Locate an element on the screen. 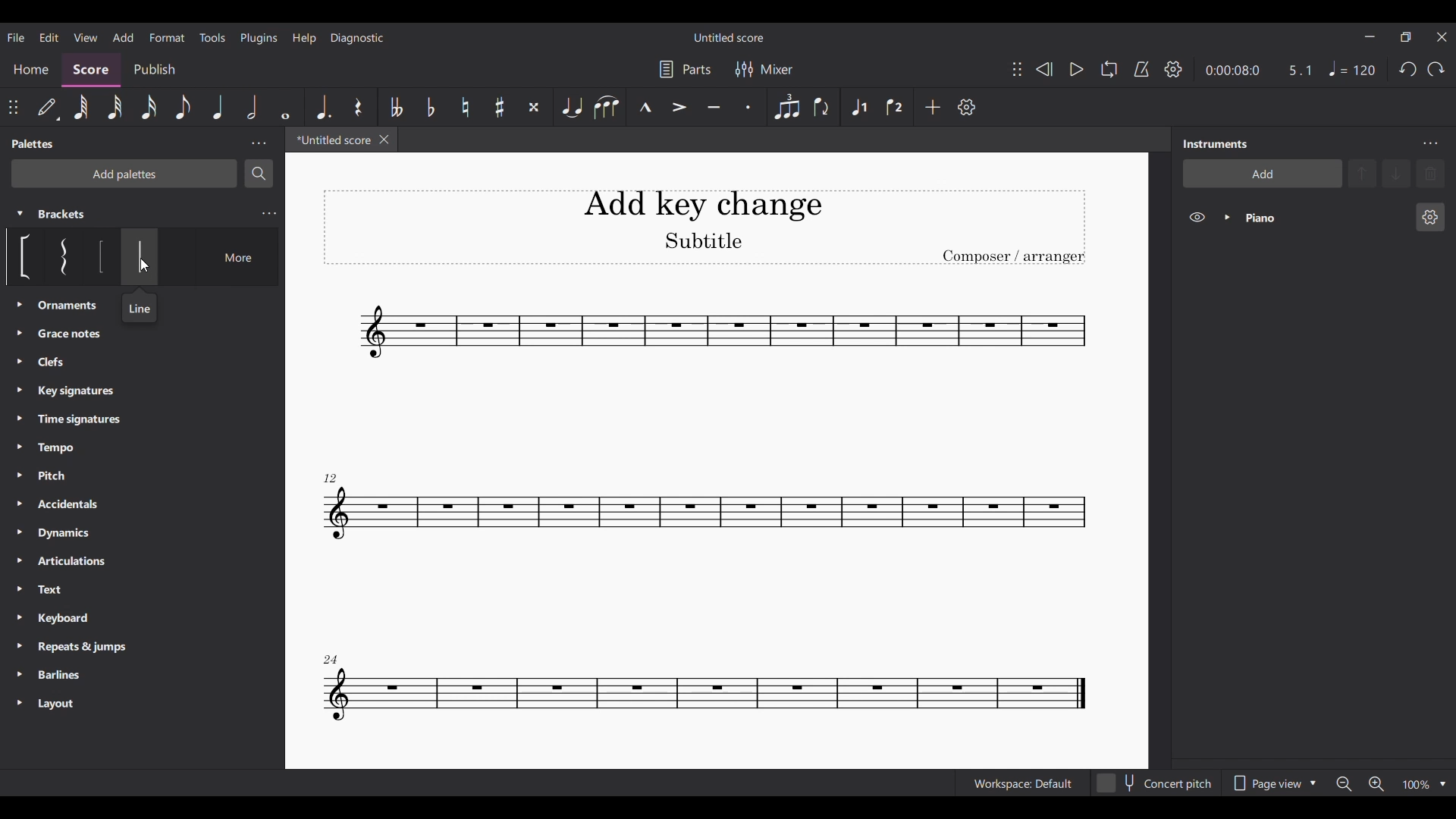 The width and height of the screenshot is (1456, 819). Page view options is located at coordinates (1274, 783).